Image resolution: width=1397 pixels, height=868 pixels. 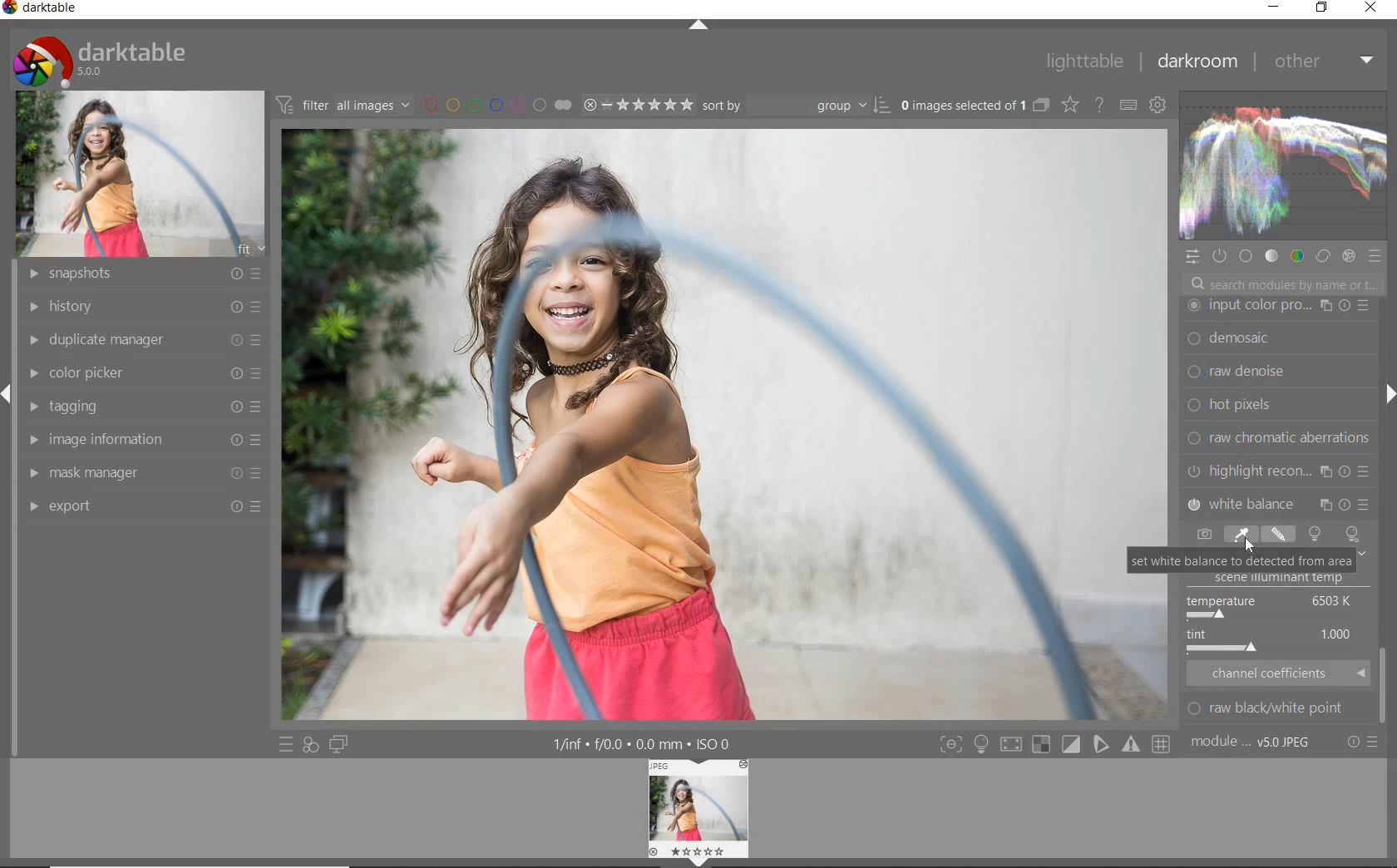 I want to click on image information, so click(x=142, y=439).